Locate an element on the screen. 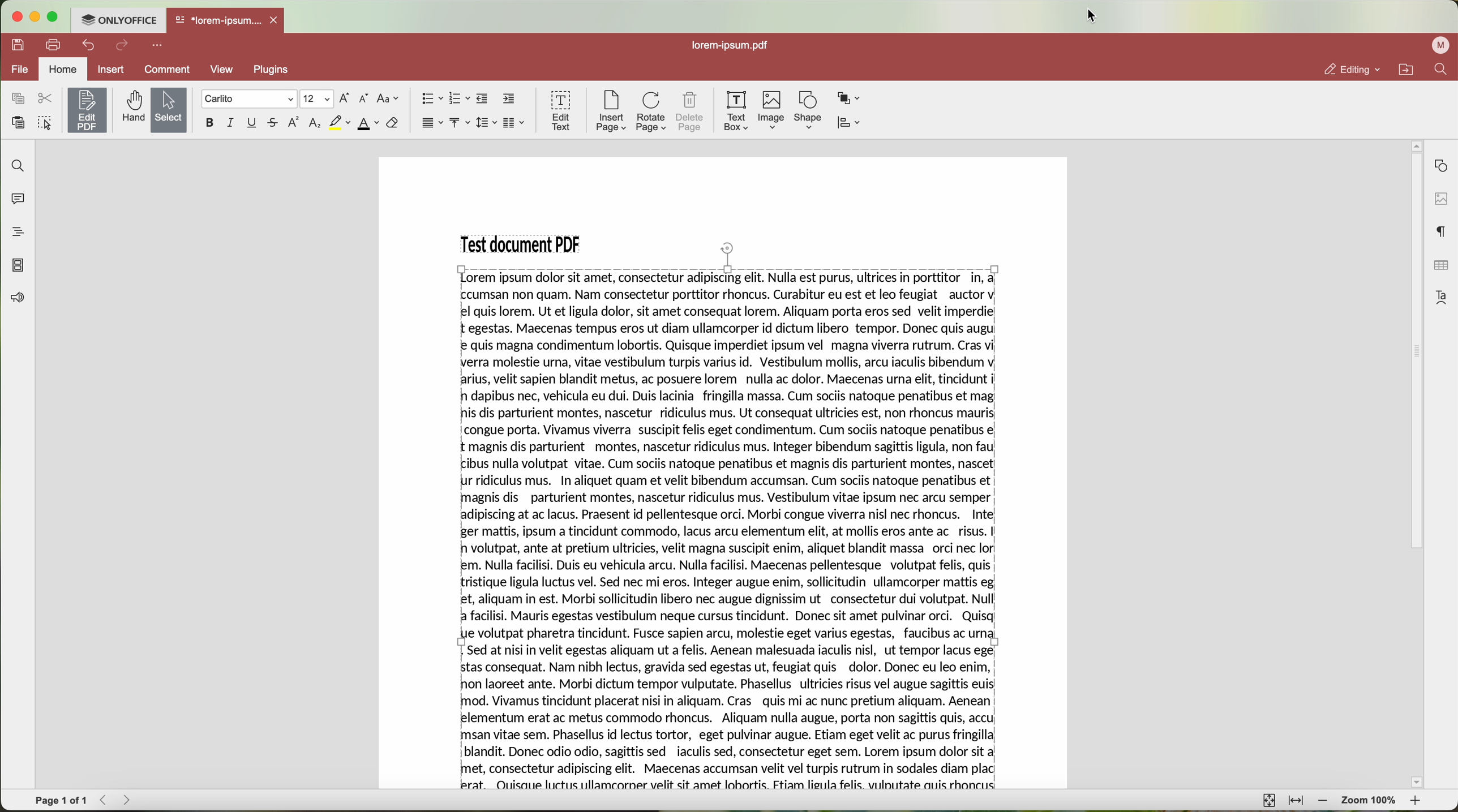 The height and width of the screenshot is (812, 1458). justified text is located at coordinates (728, 527).